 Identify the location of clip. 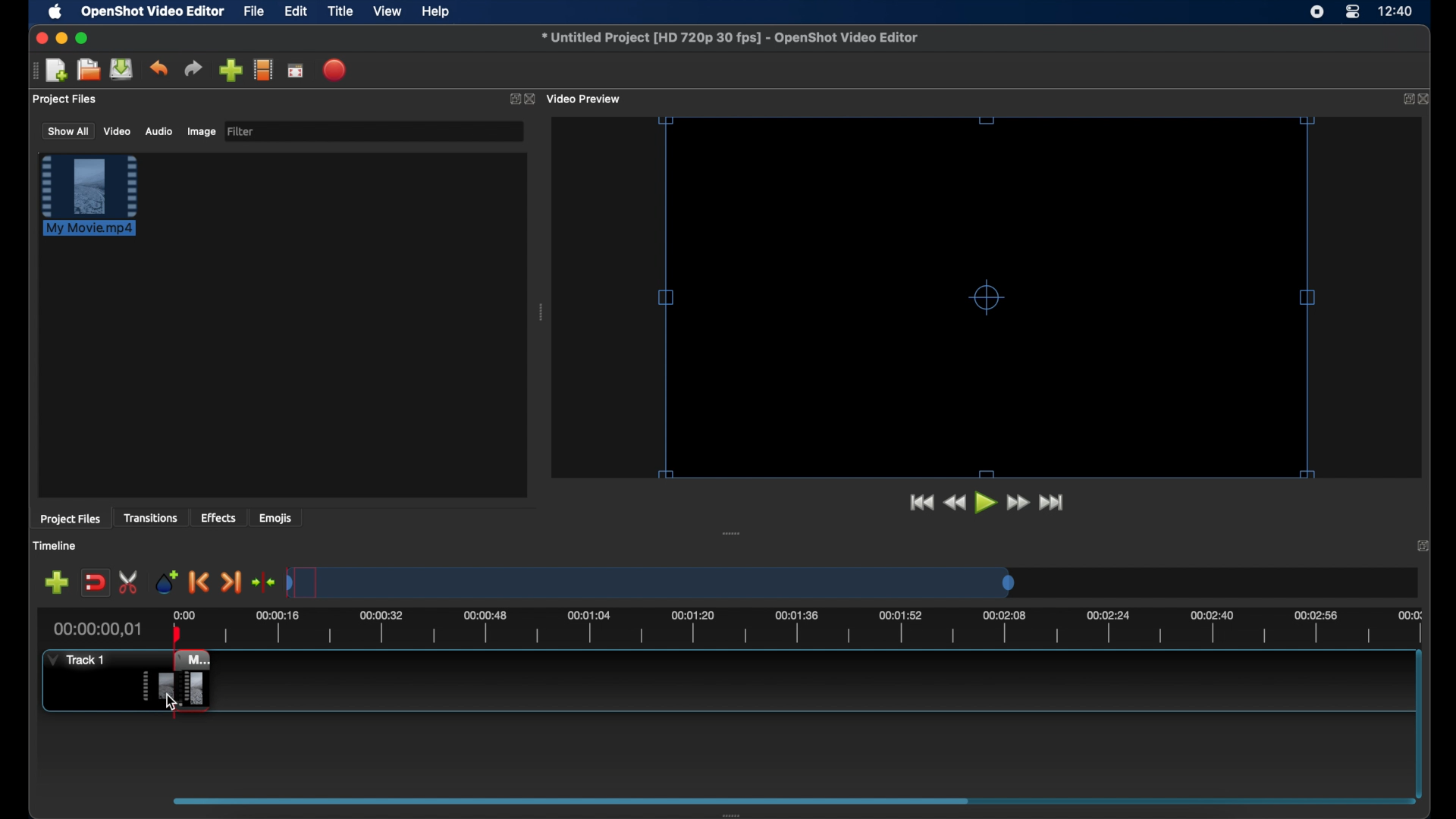
(180, 683).